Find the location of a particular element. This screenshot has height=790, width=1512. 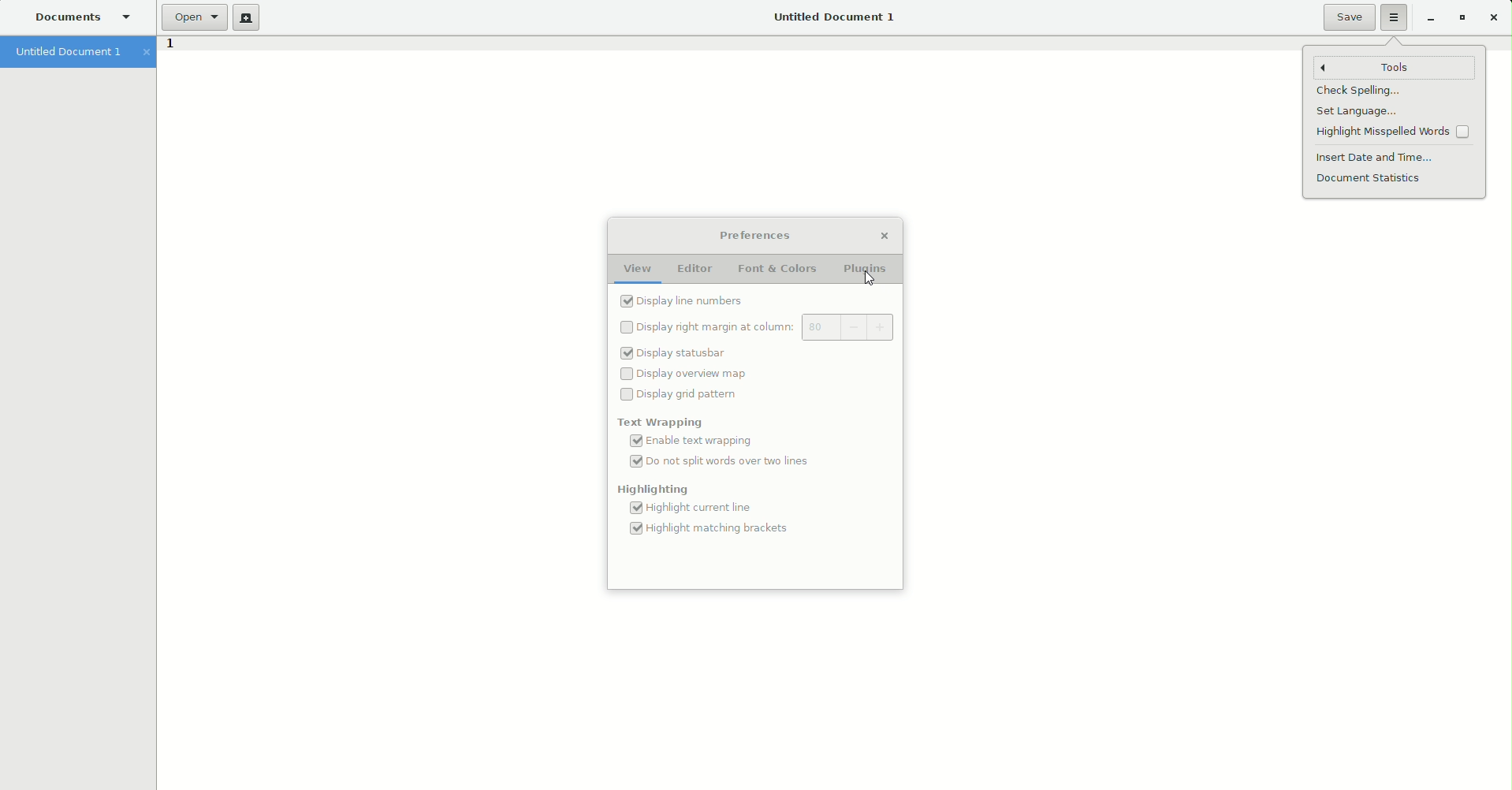

New is located at coordinates (246, 18).